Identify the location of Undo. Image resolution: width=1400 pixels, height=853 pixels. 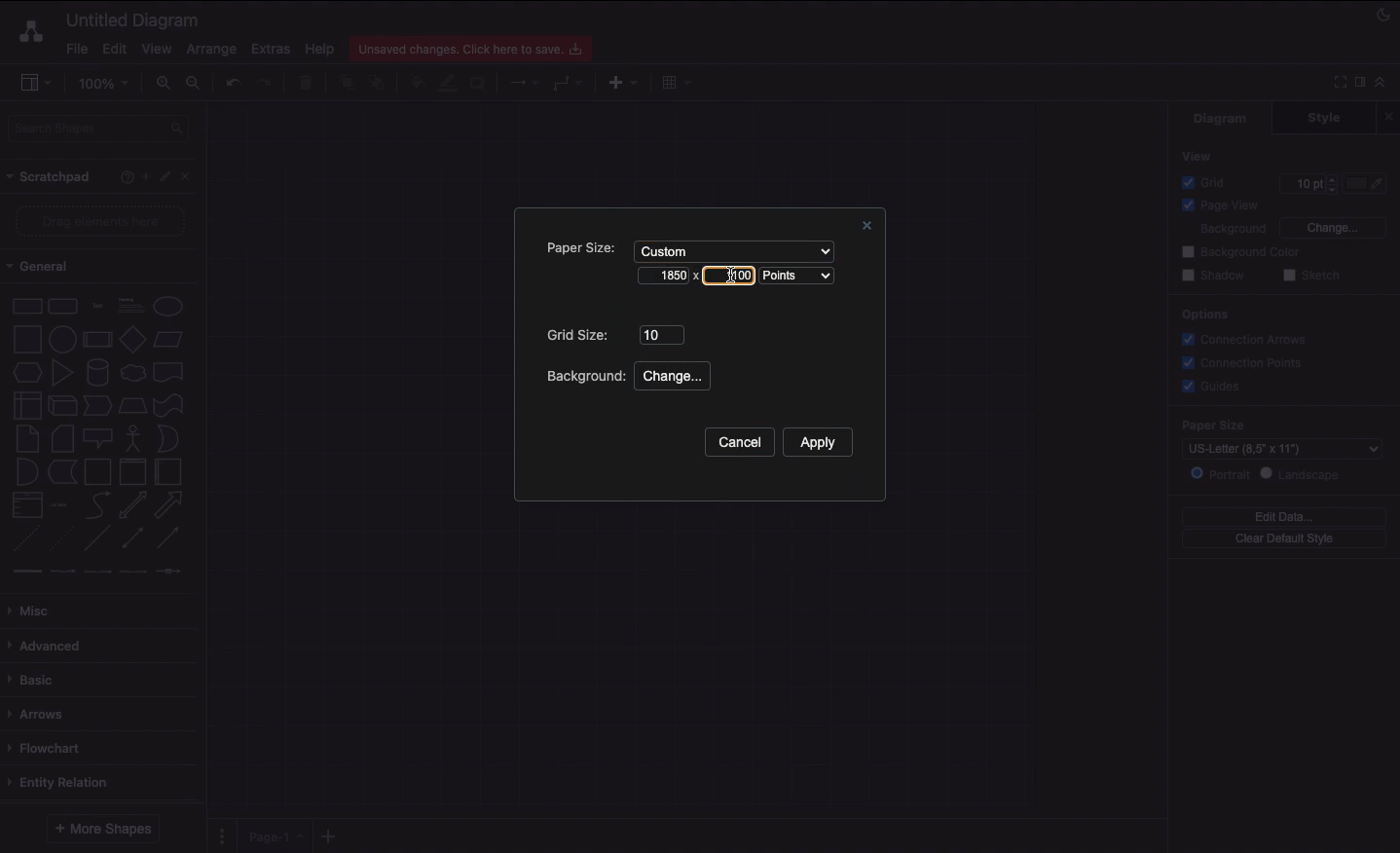
(232, 82).